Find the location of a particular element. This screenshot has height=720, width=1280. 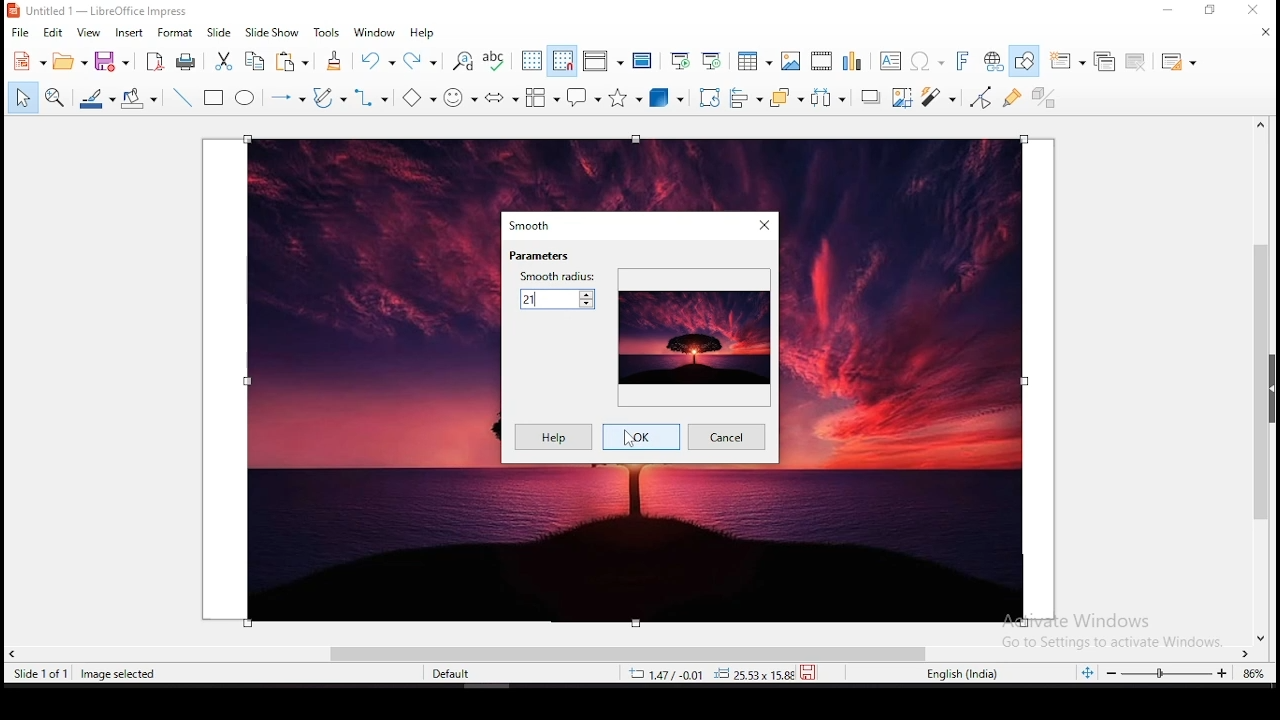

insert hyperlink is located at coordinates (996, 61).